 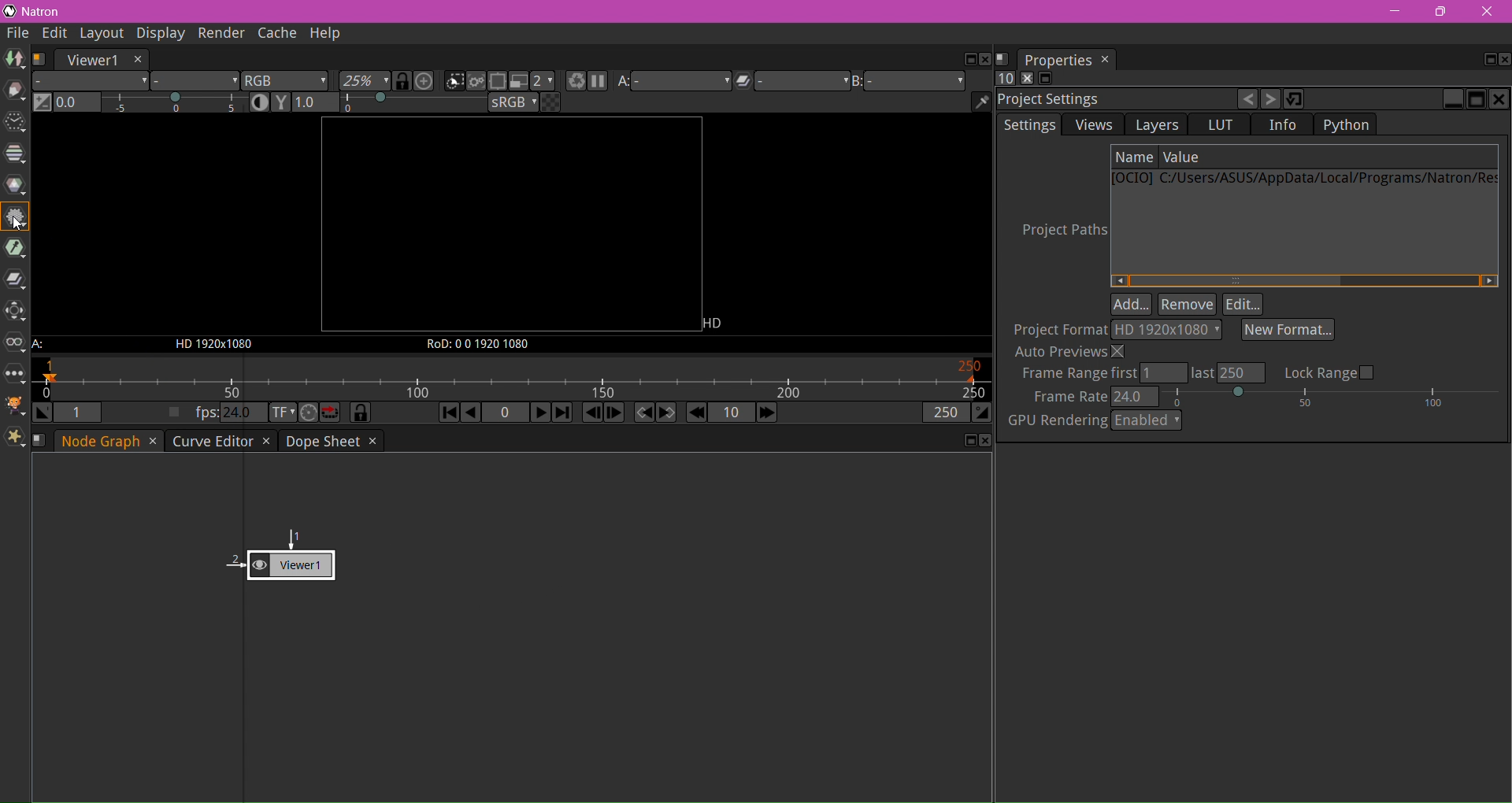 I want to click on Restore Down, so click(x=1440, y=12).